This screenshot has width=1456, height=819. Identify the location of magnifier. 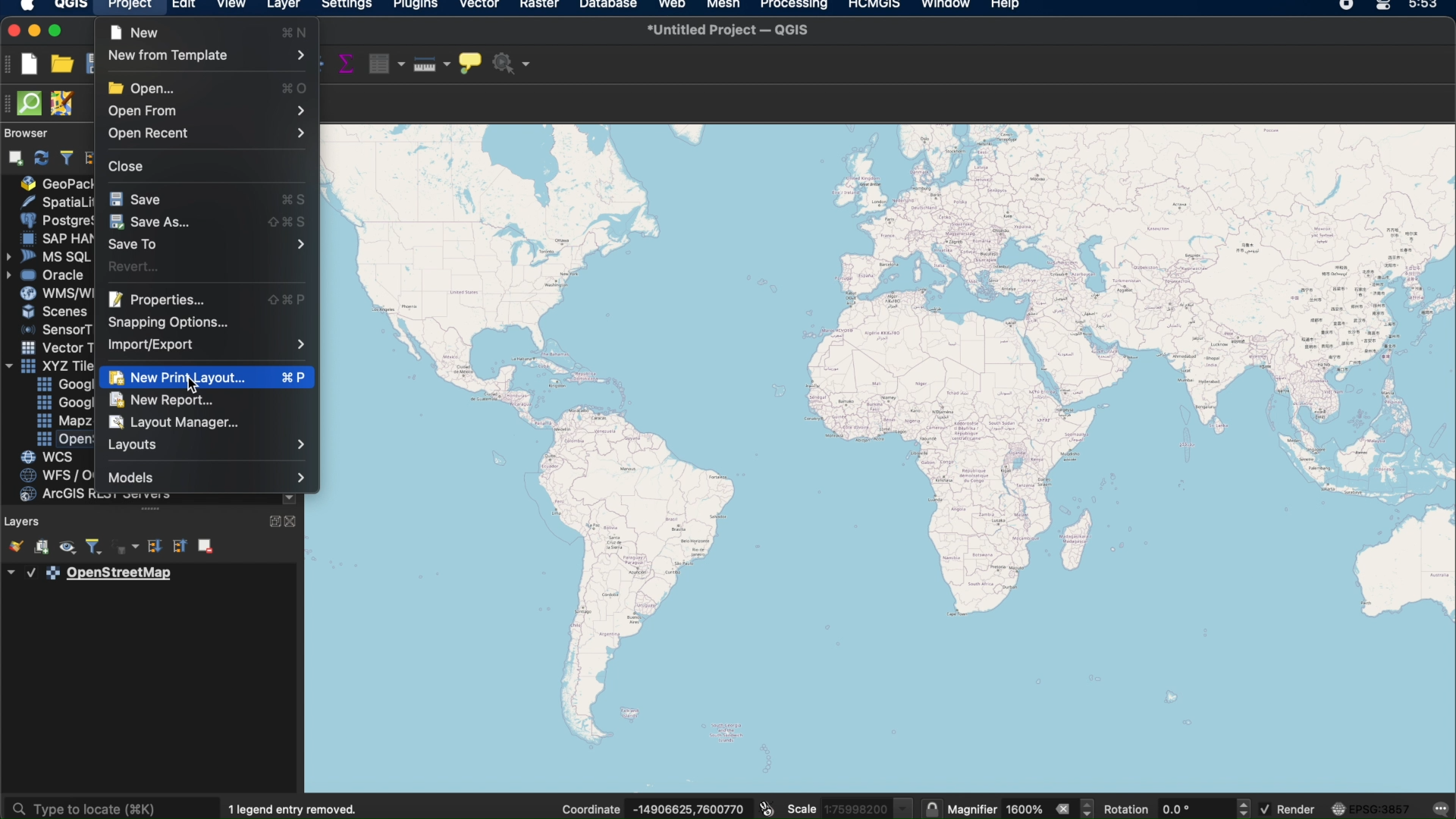
(1023, 806).